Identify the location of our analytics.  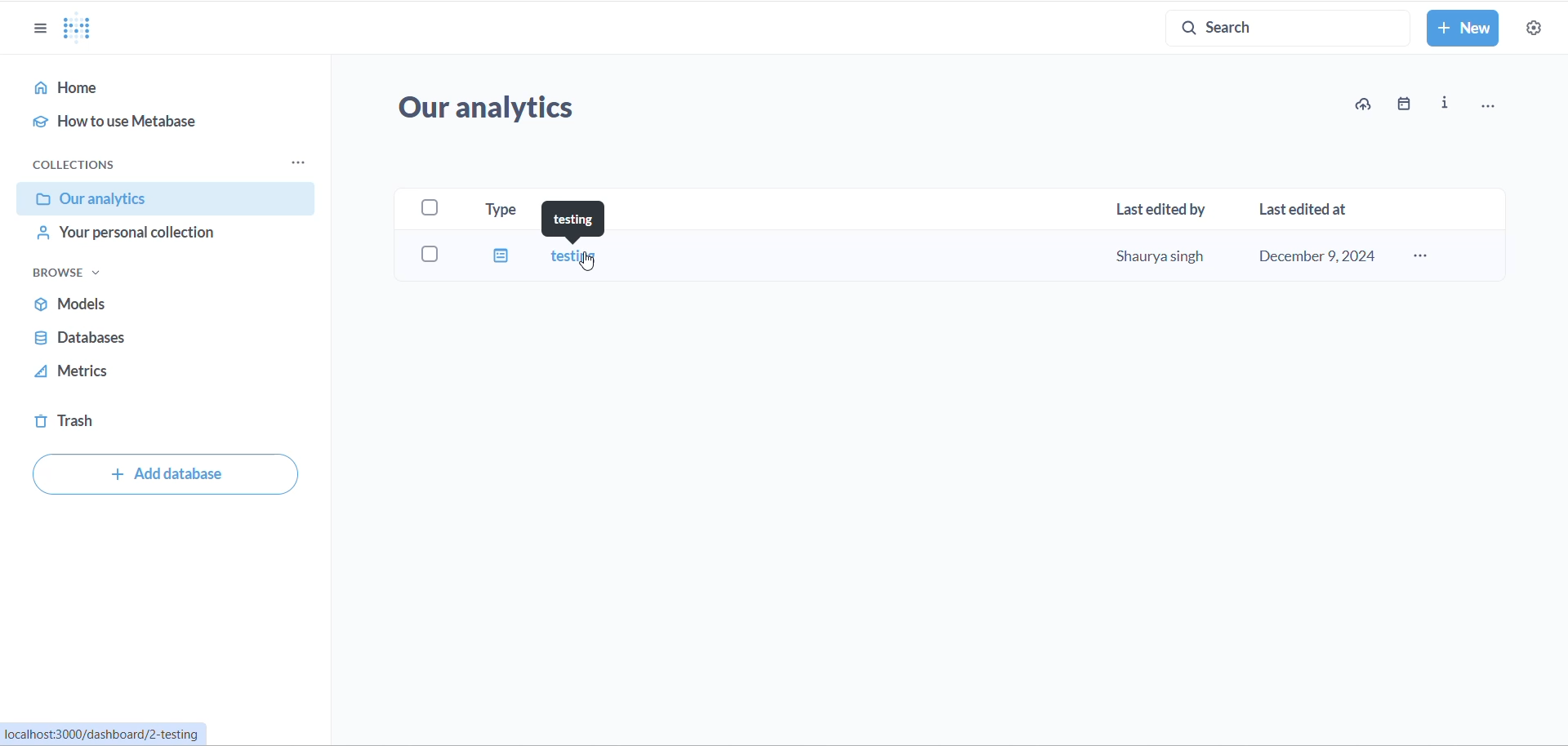
(160, 199).